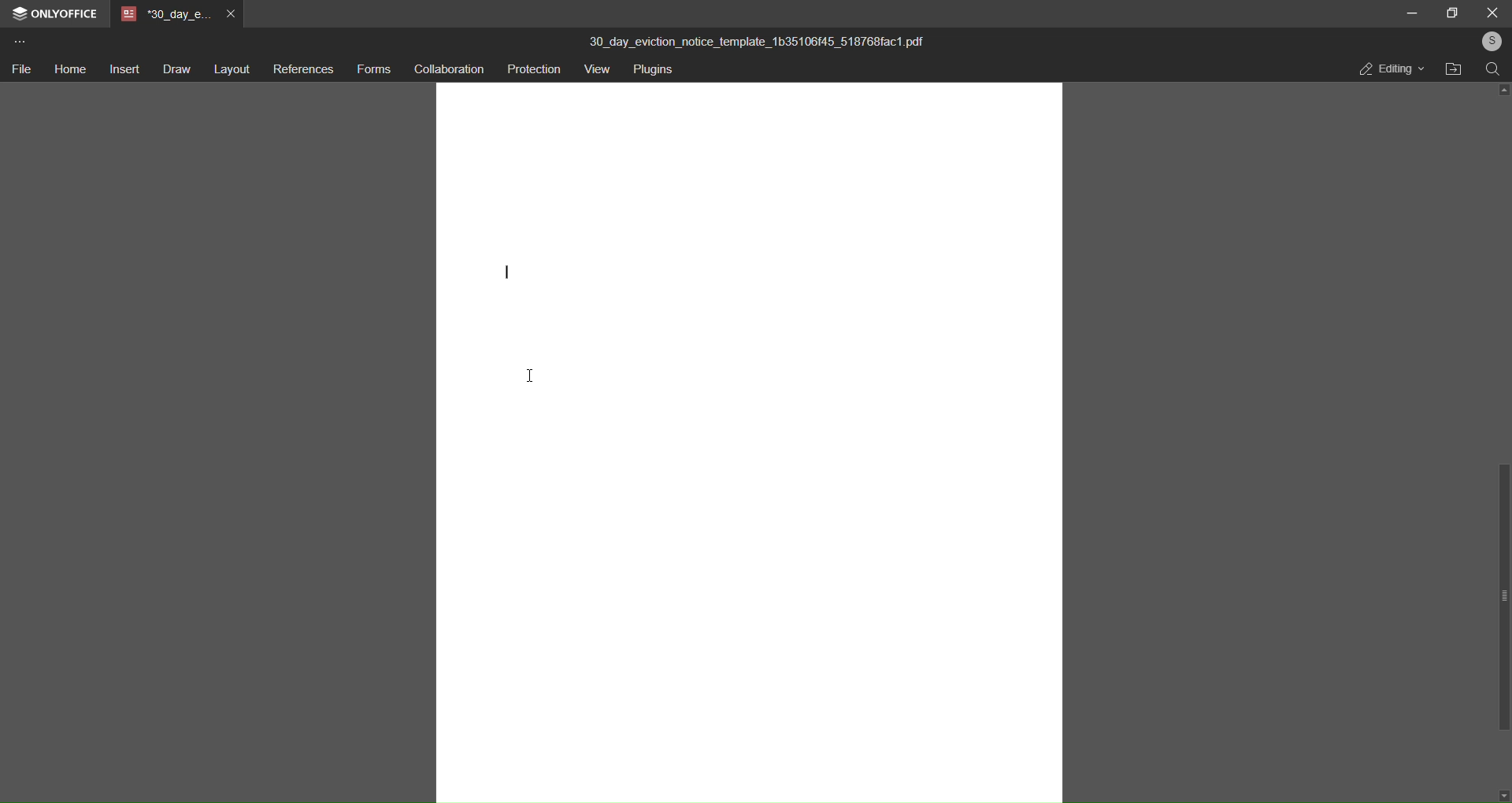 Image resolution: width=1512 pixels, height=803 pixels. What do you see at coordinates (1502, 91) in the screenshot?
I see `up` at bounding box center [1502, 91].